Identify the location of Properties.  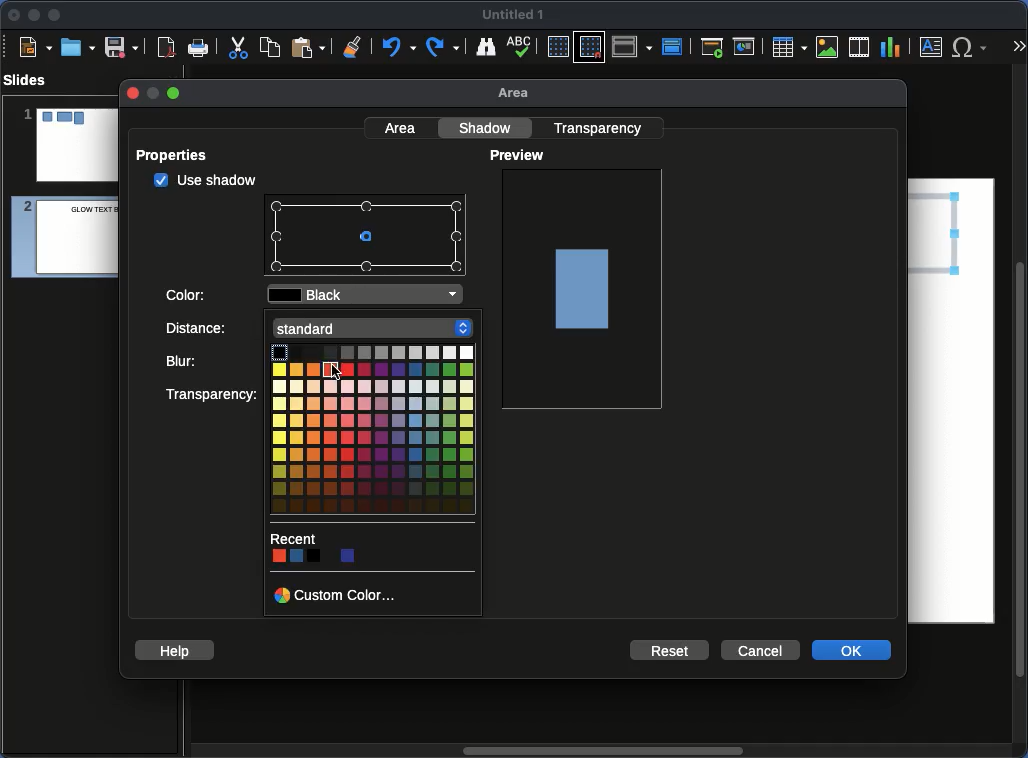
(178, 155).